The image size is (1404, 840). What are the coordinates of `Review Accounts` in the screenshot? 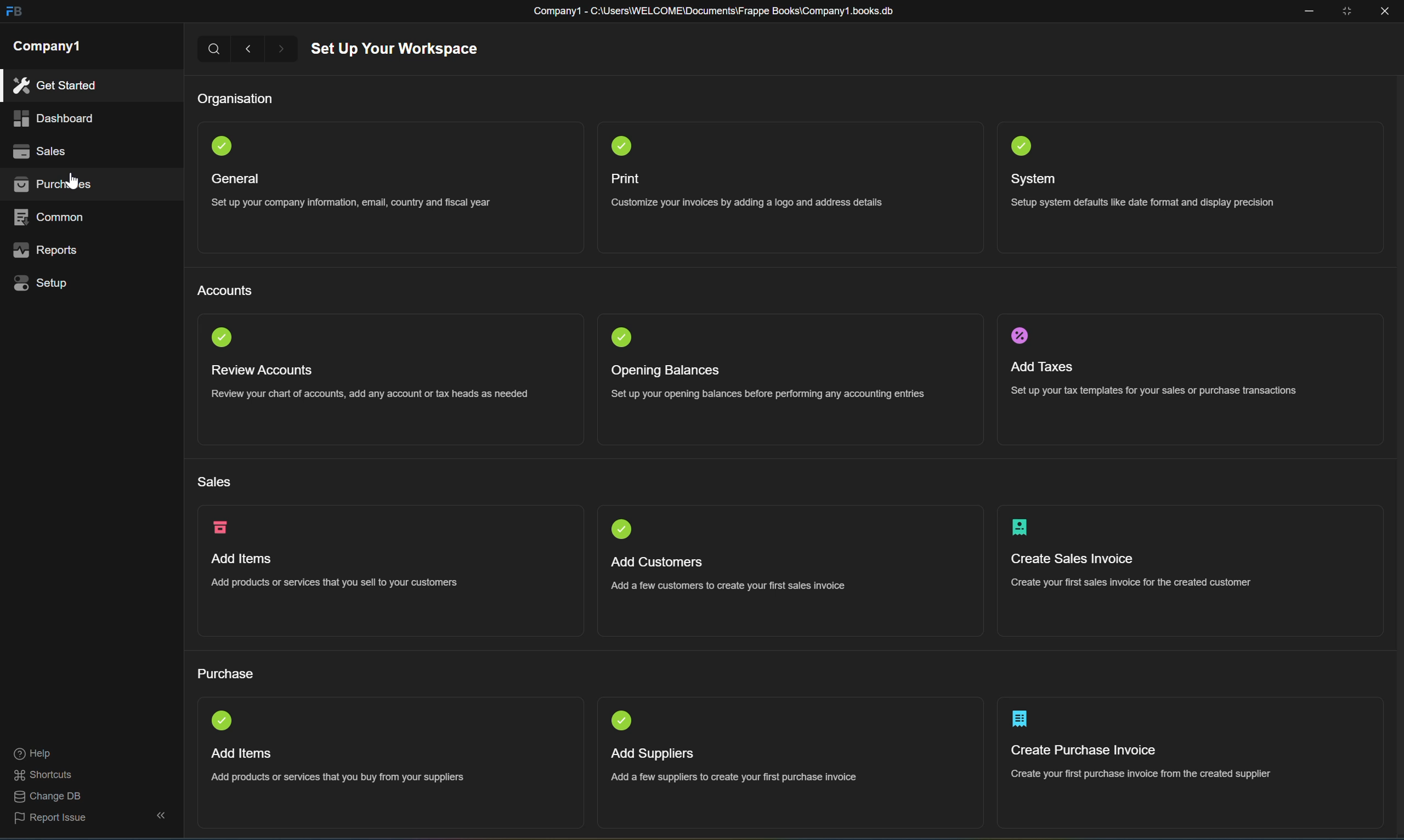 It's located at (260, 370).